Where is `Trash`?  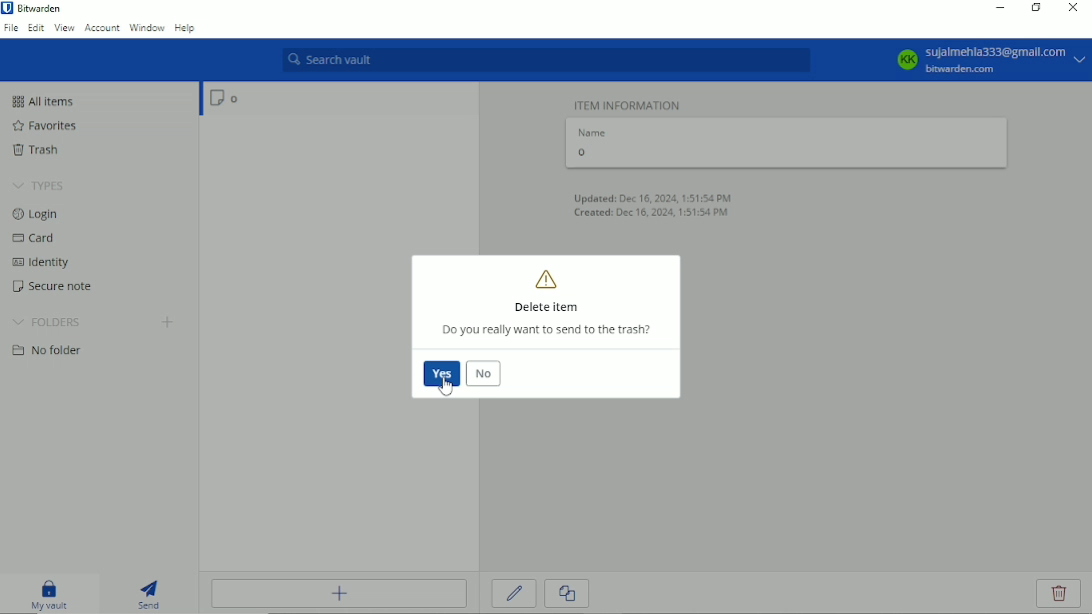 Trash is located at coordinates (39, 152).